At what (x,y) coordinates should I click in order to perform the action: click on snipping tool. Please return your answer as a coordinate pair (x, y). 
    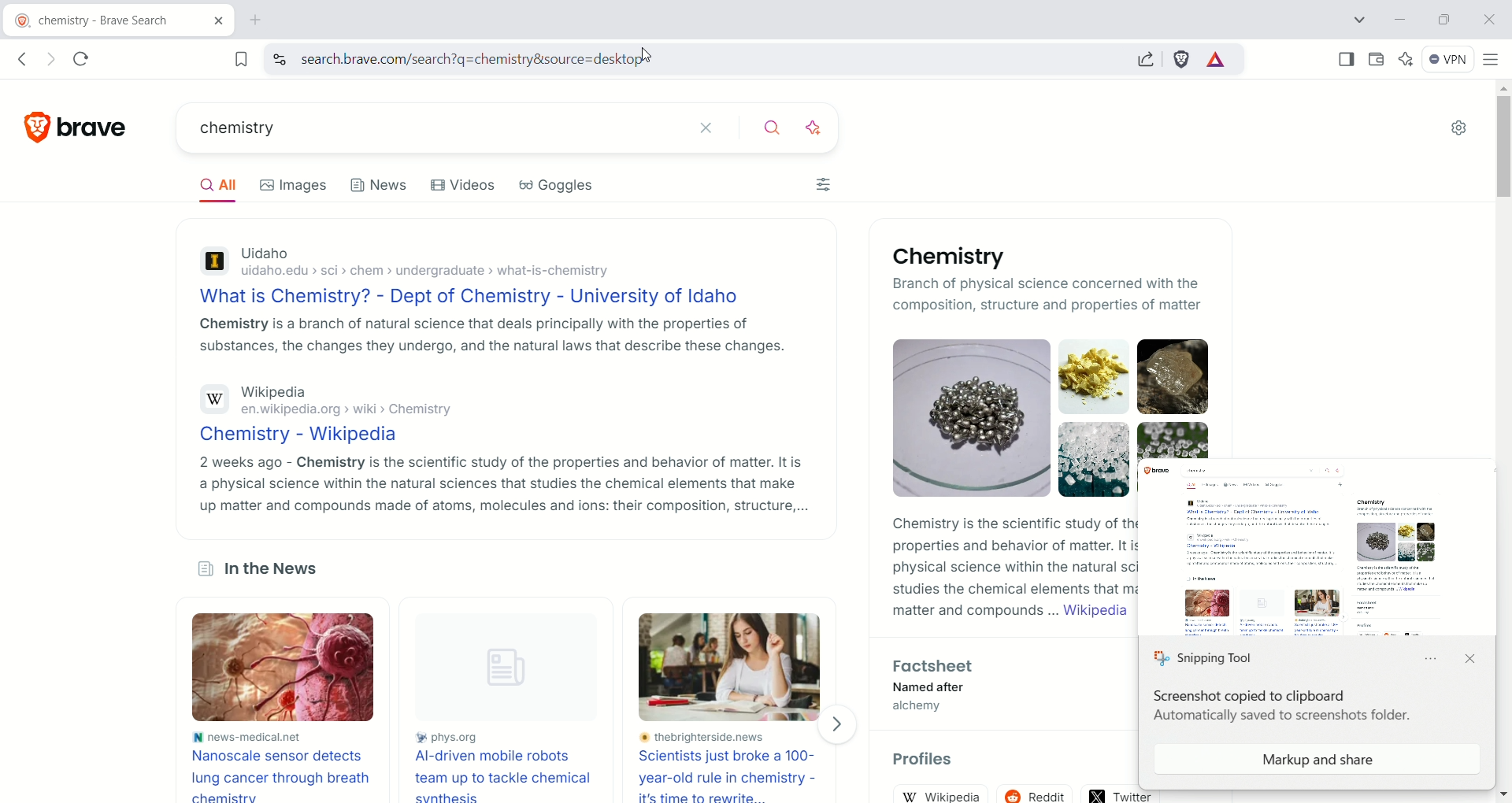
    Looking at the image, I should click on (1206, 657).